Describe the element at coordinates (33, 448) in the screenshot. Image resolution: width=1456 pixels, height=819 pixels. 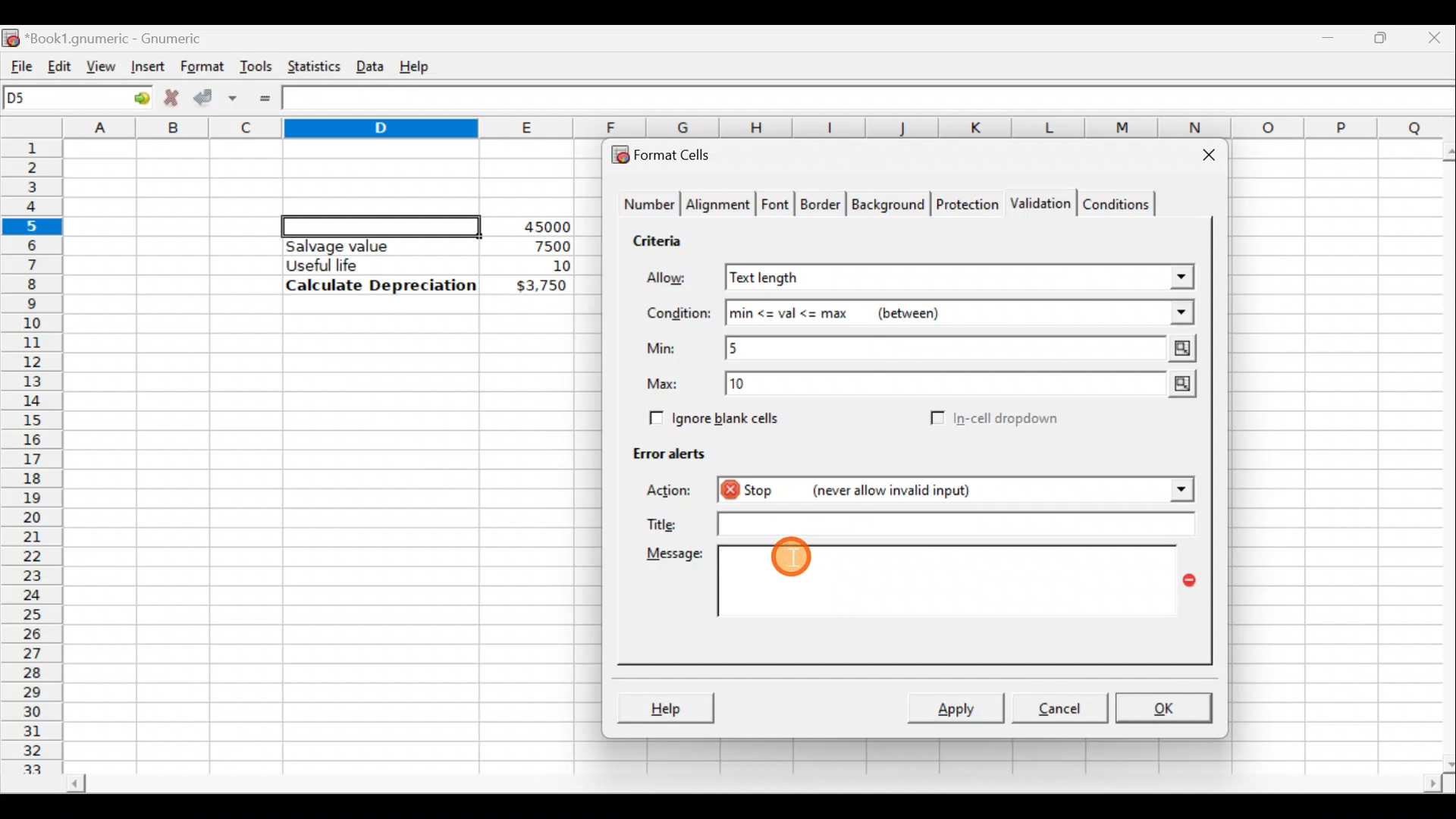
I see `Rows` at that location.